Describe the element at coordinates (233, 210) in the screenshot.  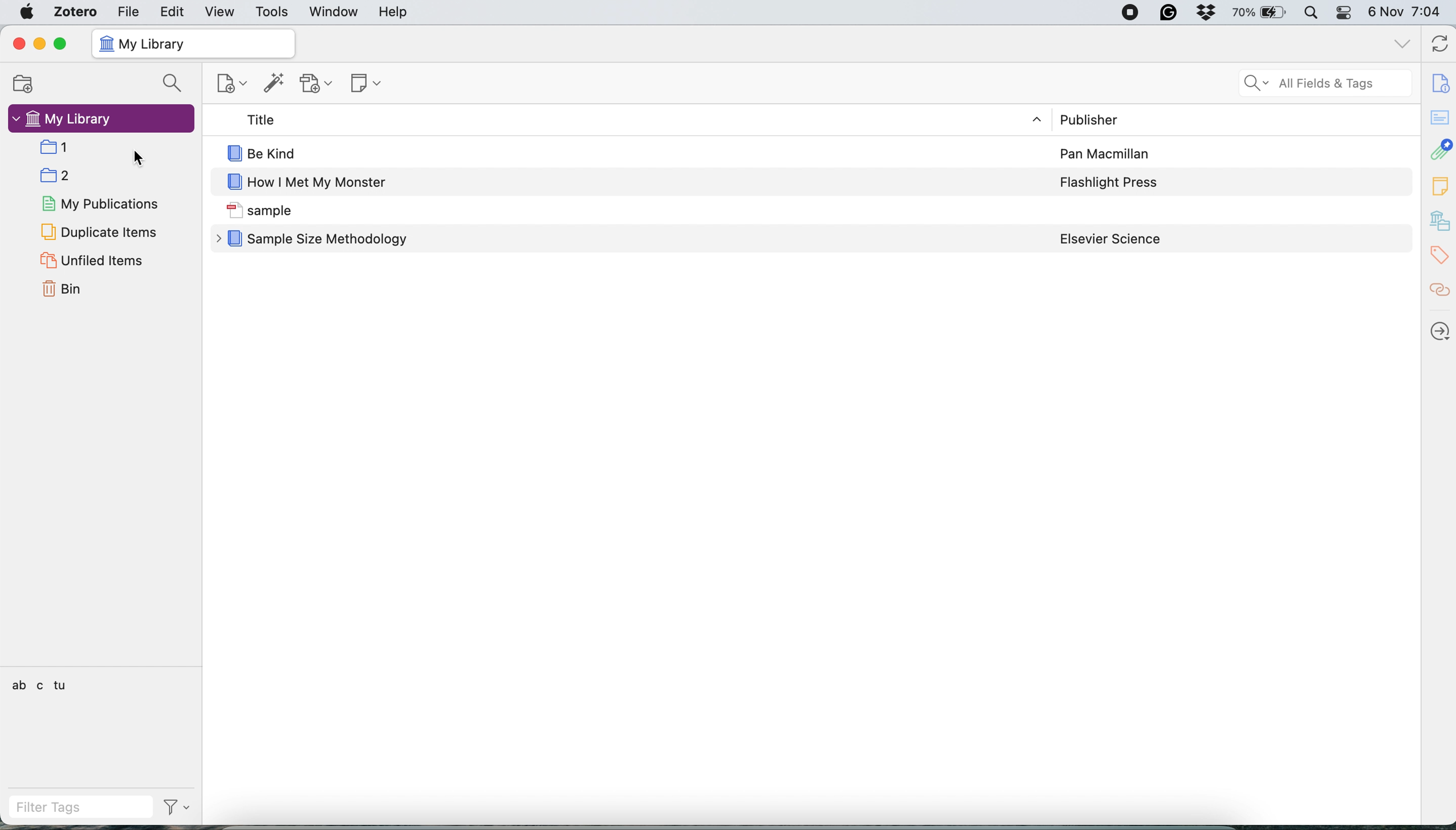
I see `icon` at that location.